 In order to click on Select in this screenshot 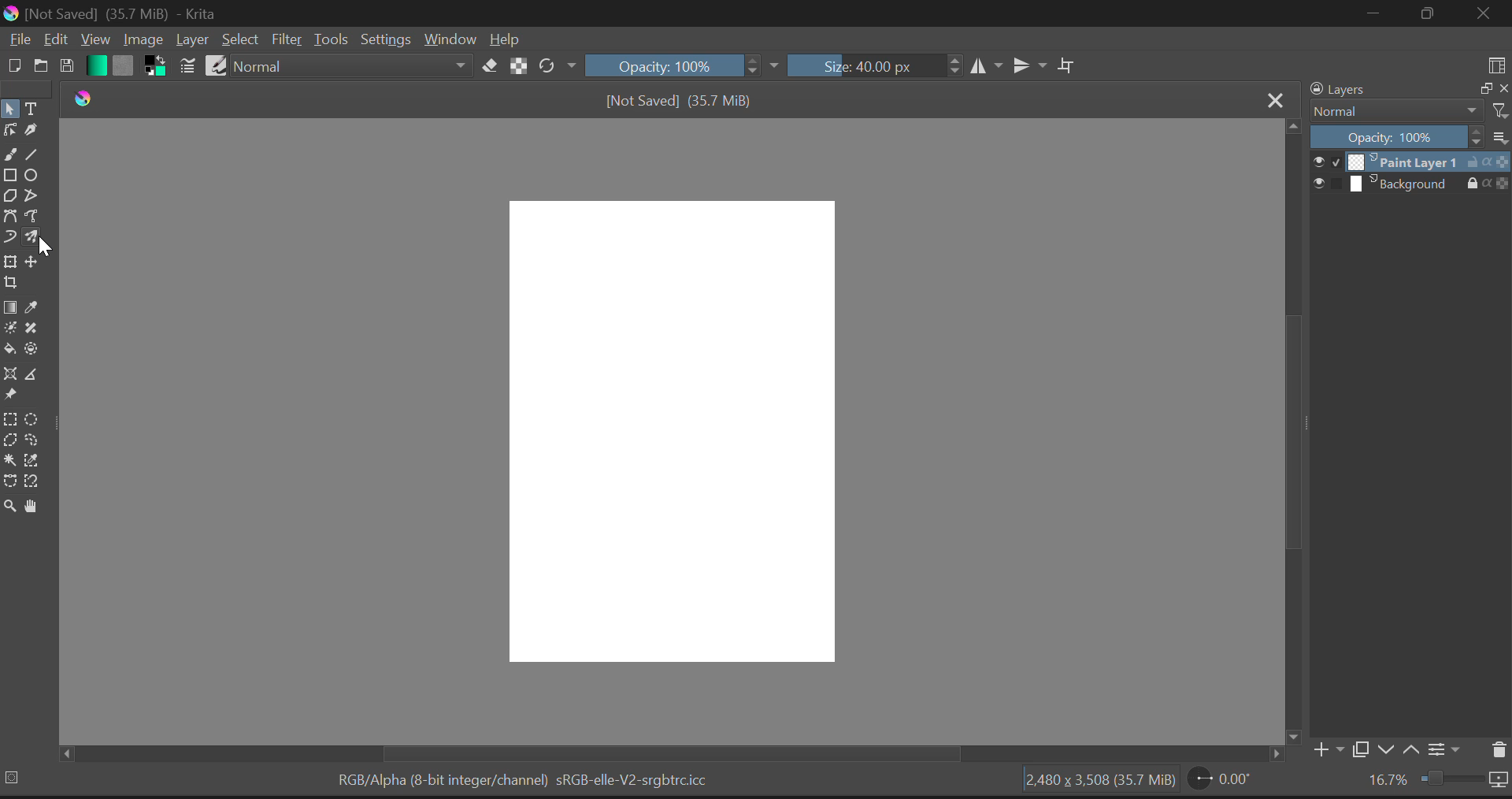, I will do `click(240, 40)`.